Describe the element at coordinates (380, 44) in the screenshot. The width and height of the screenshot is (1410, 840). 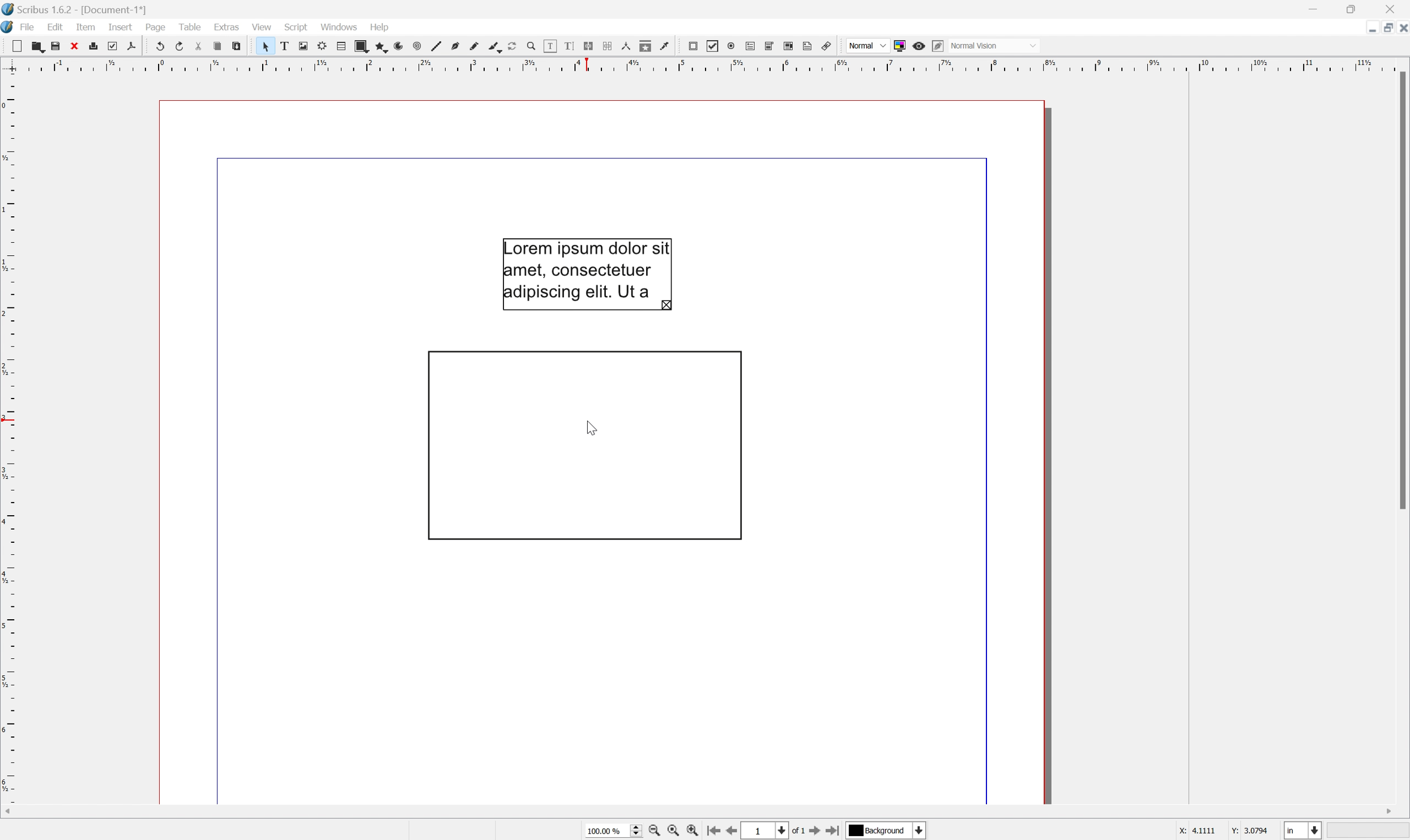
I see `Polygon` at that location.